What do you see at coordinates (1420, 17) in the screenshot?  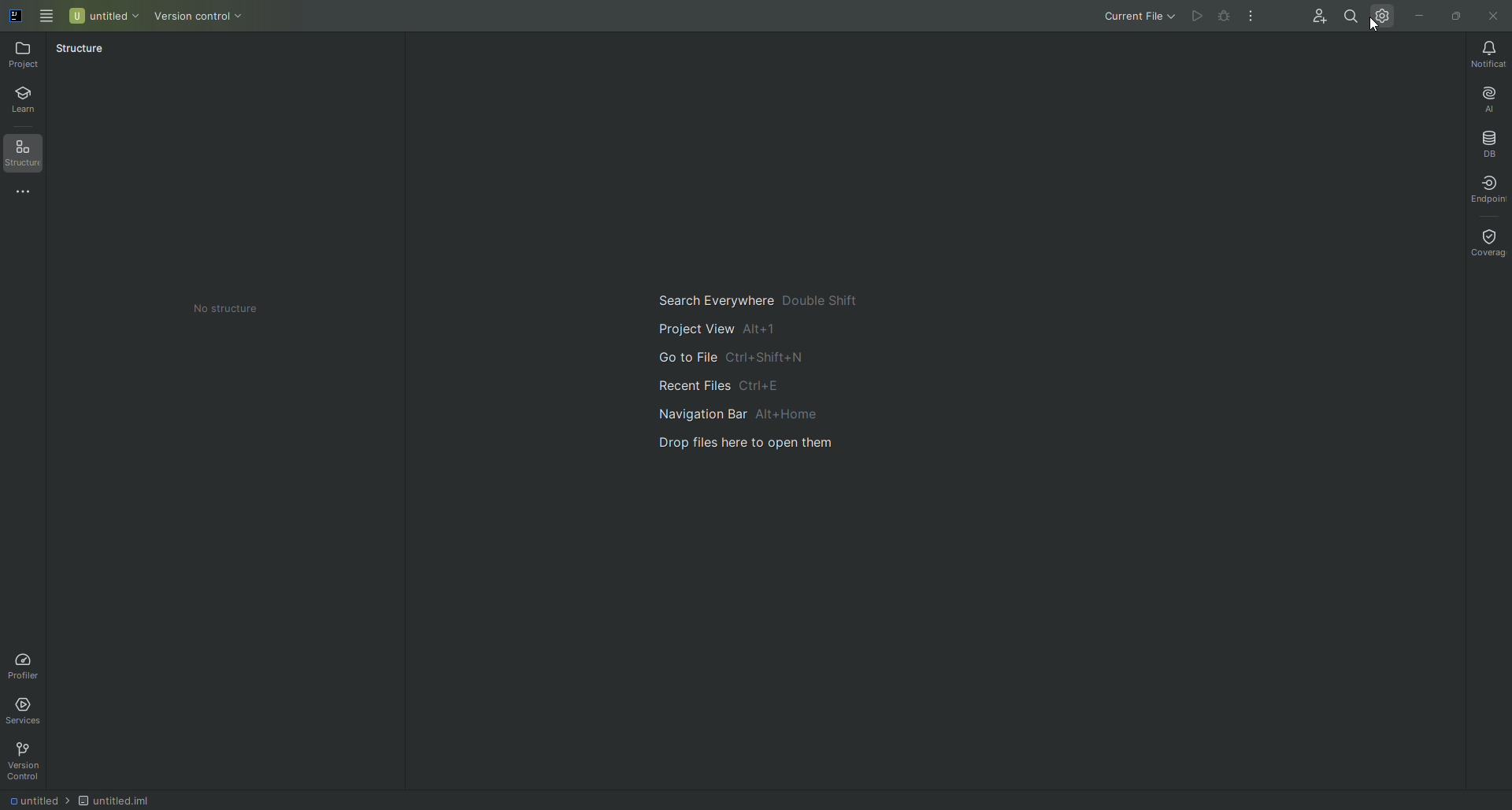 I see `Minimize` at bounding box center [1420, 17].